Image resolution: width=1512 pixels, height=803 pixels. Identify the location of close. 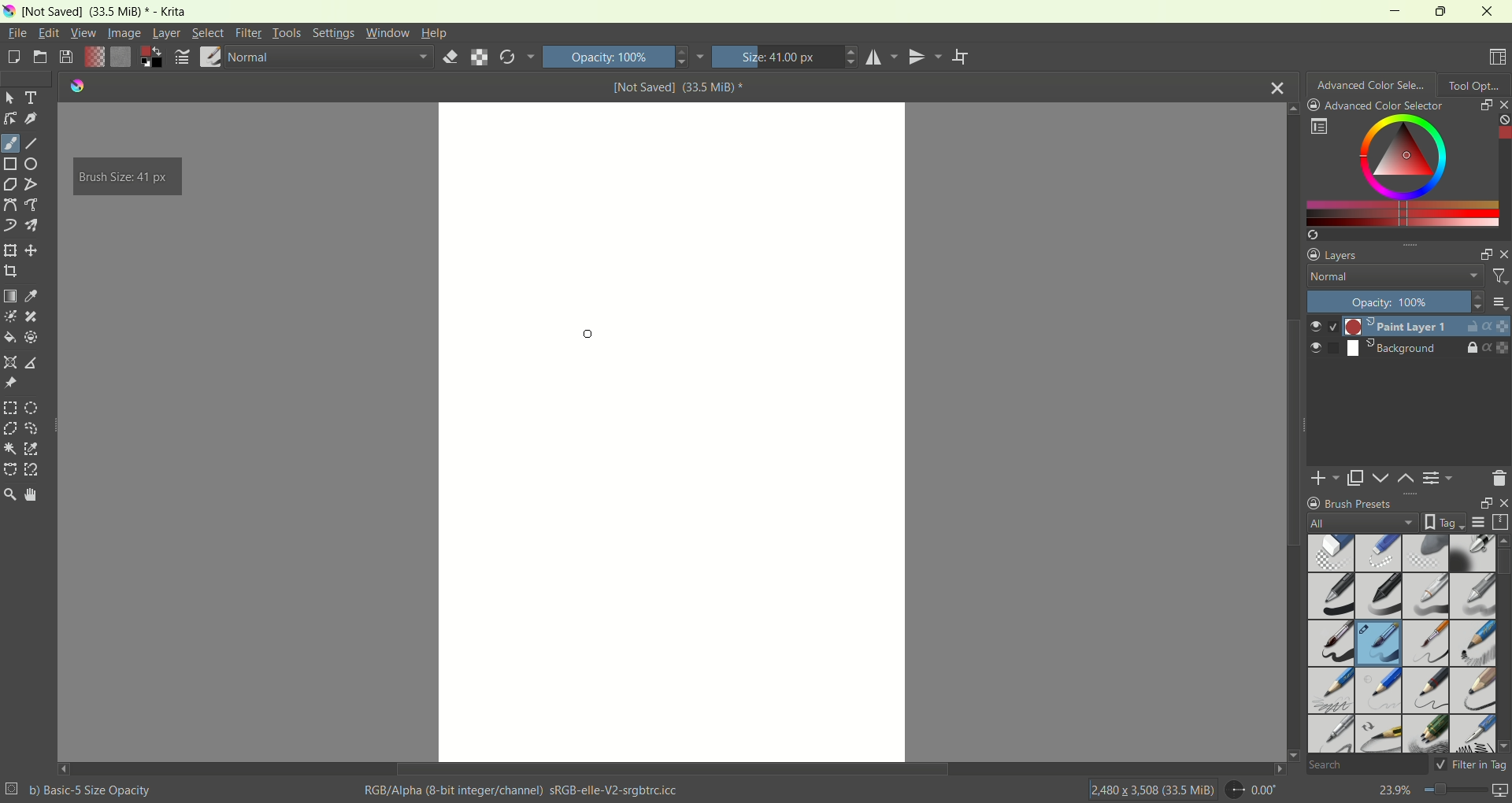
(1501, 503).